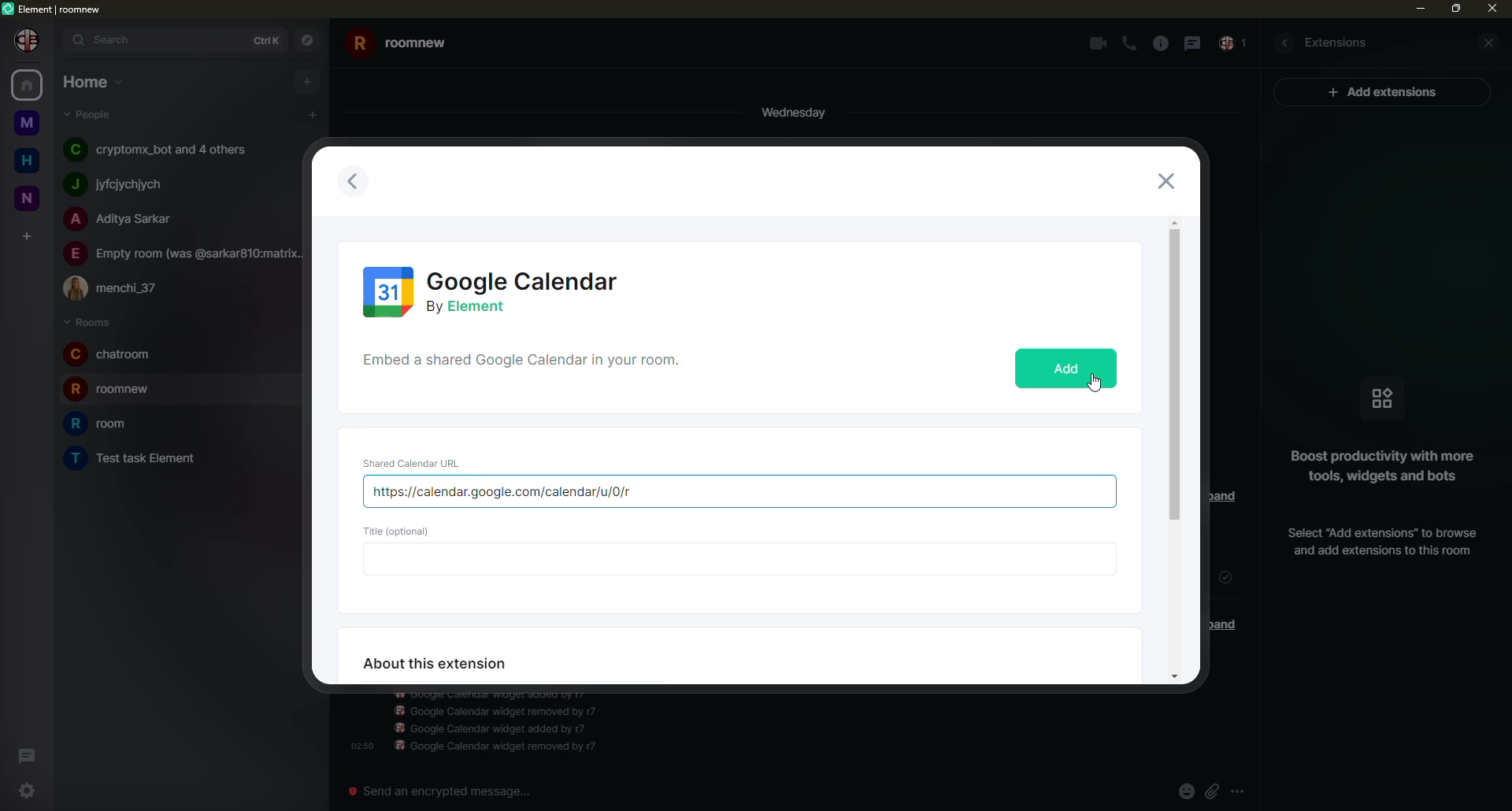 The width and height of the screenshot is (1512, 811). Describe the element at coordinates (1339, 43) in the screenshot. I see `extesions` at that location.